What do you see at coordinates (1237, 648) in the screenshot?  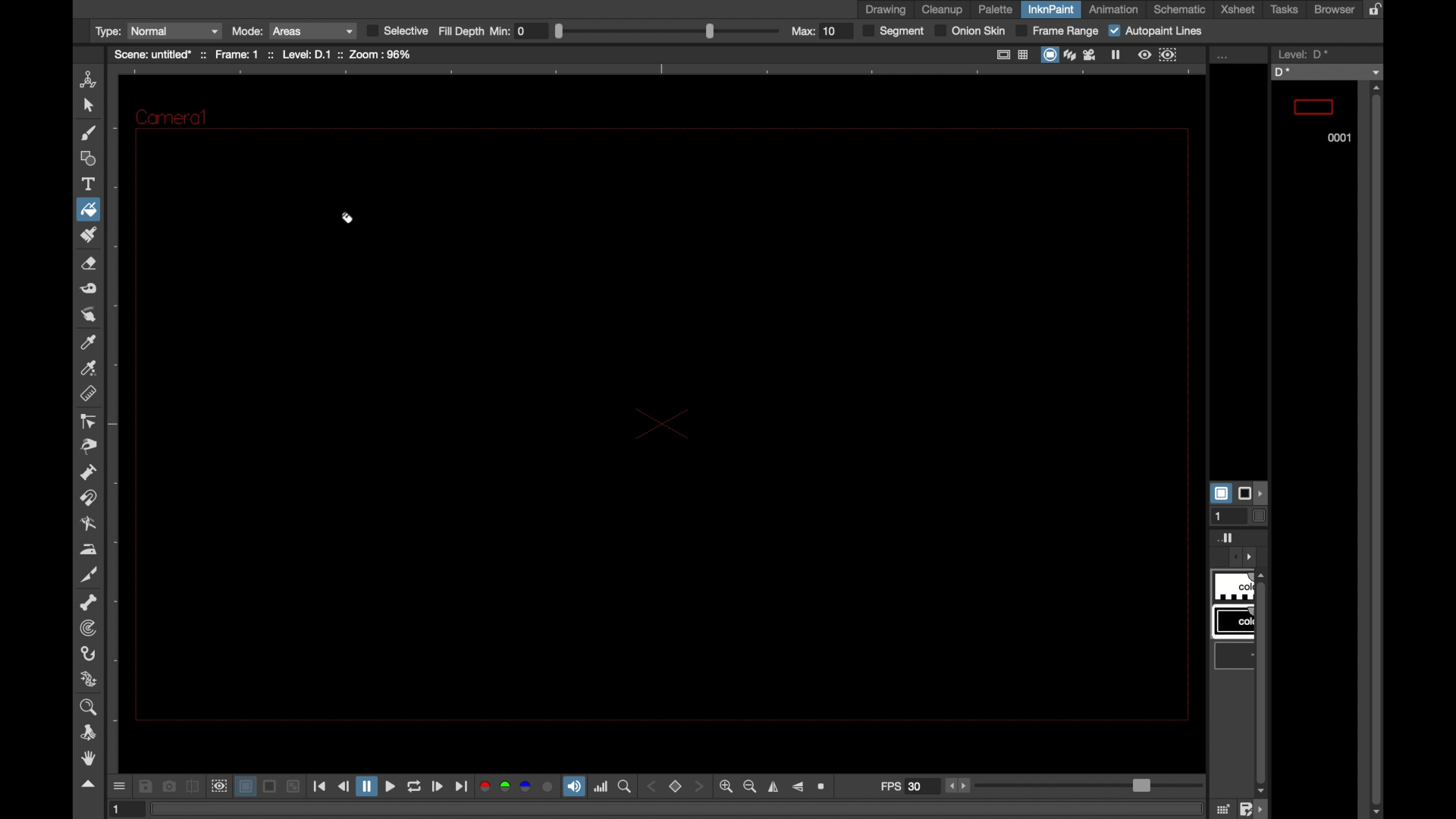 I see `obscure tab` at bounding box center [1237, 648].